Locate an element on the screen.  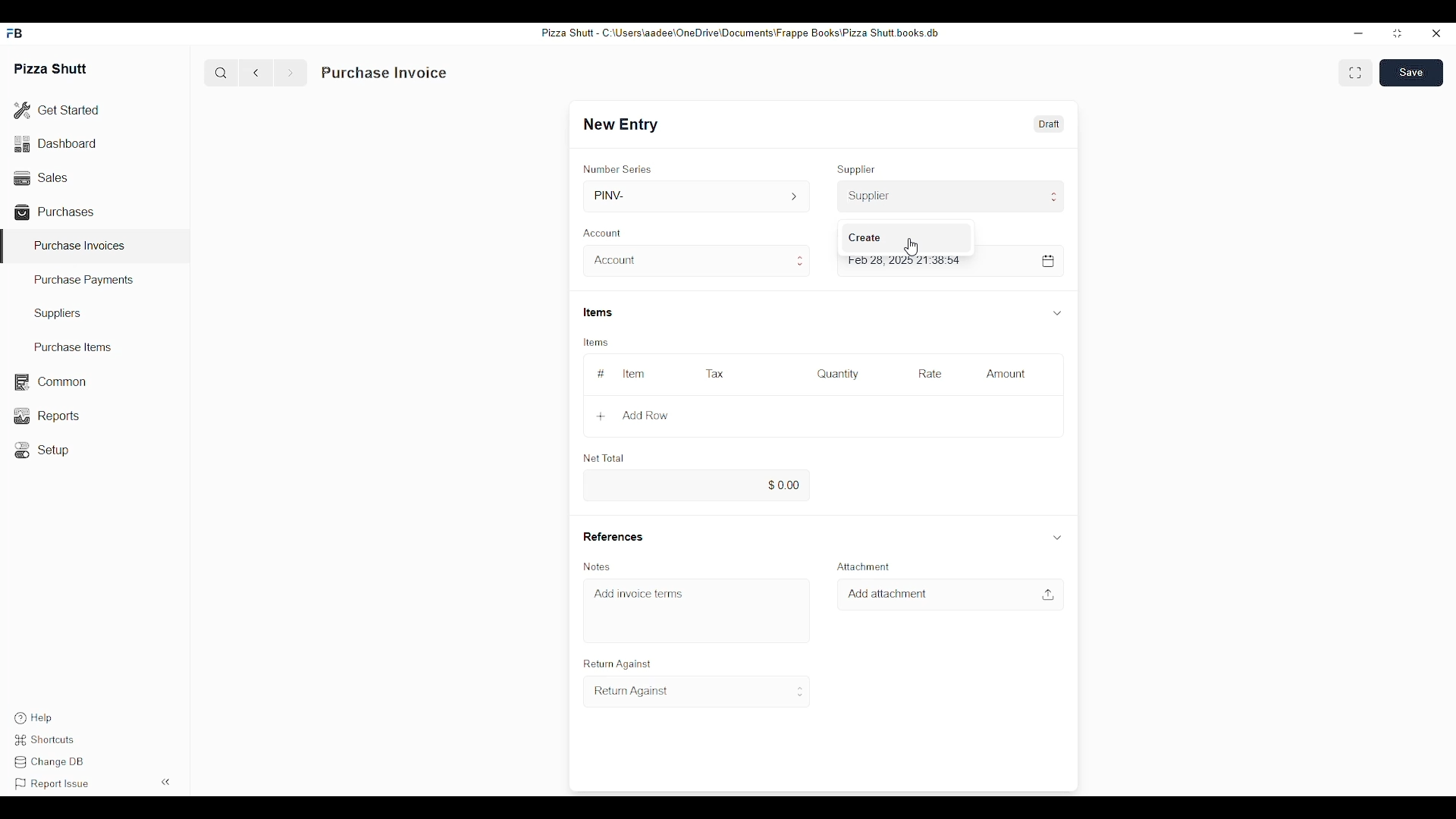
Draft is located at coordinates (1048, 124).